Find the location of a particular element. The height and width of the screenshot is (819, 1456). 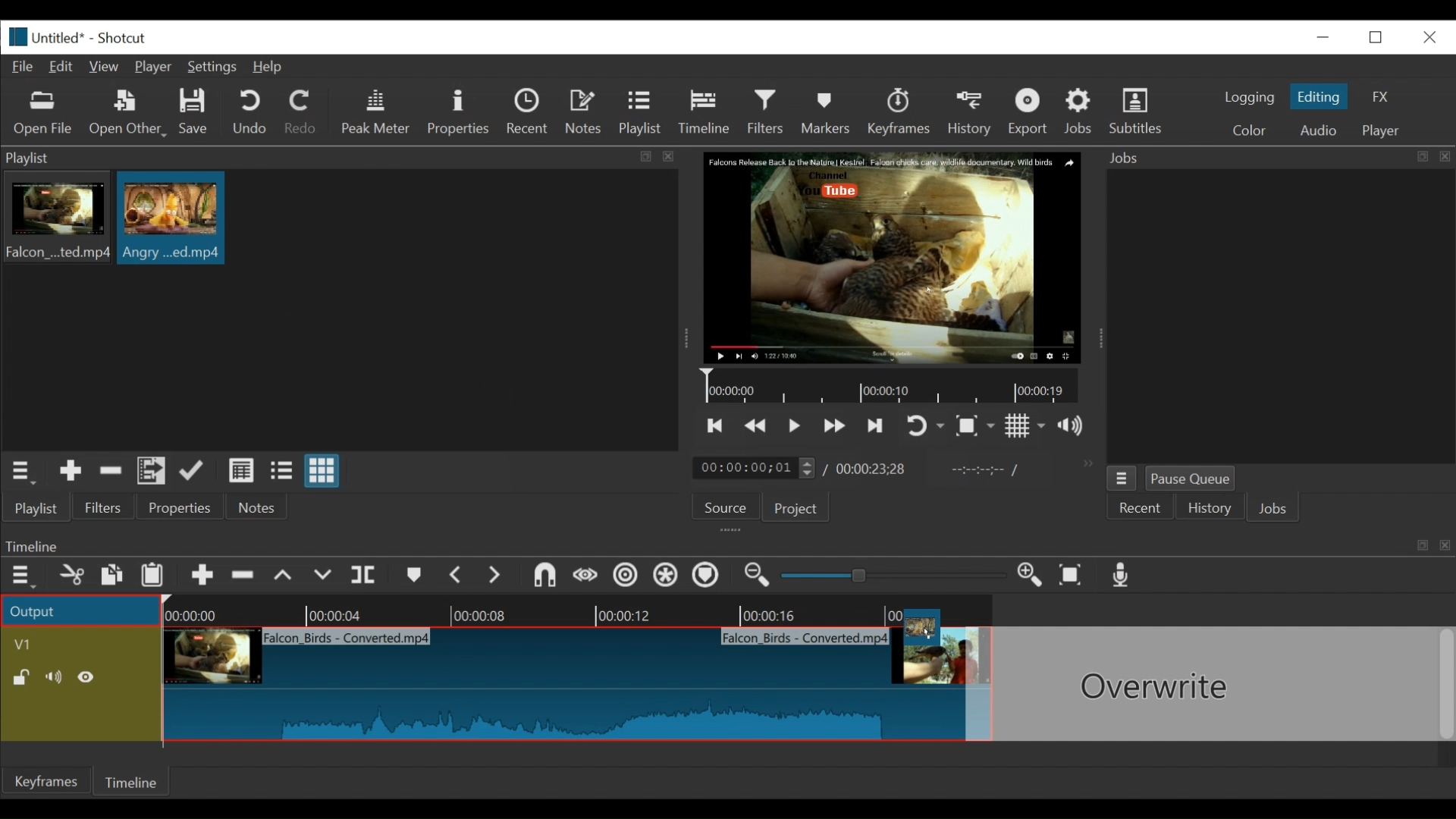

Paste is located at coordinates (158, 577).